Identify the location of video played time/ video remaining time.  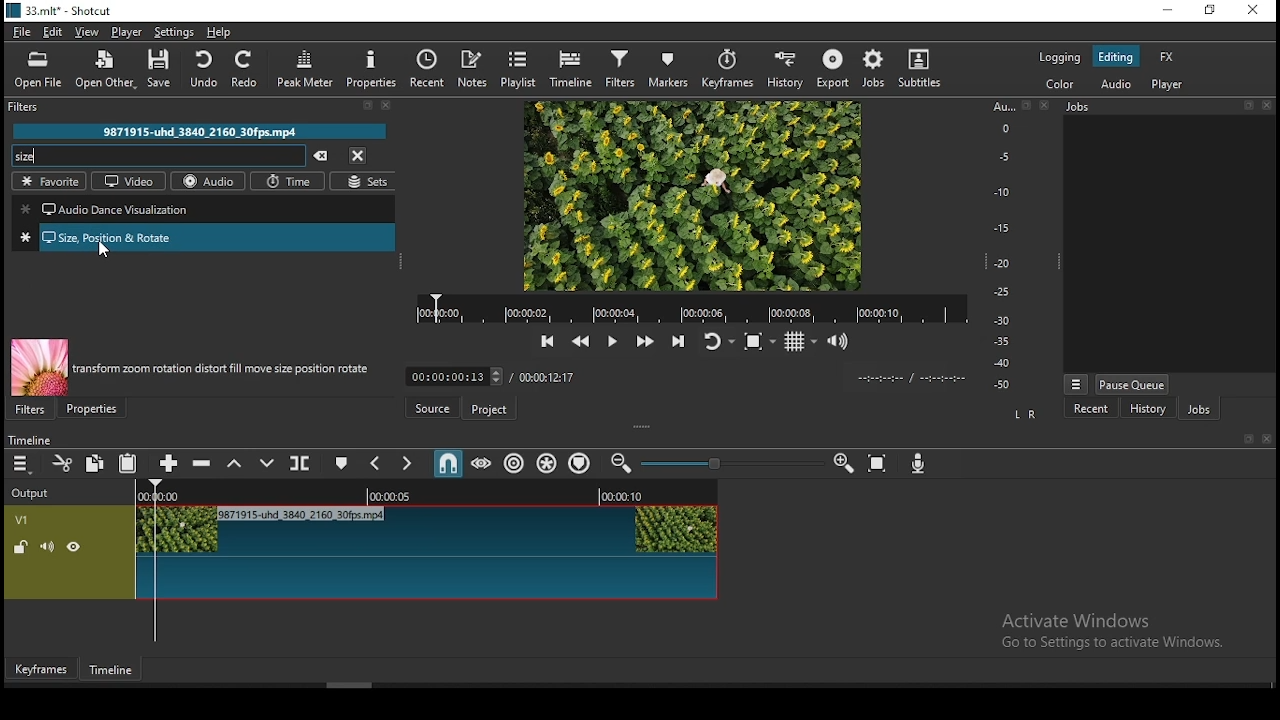
(888, 377).